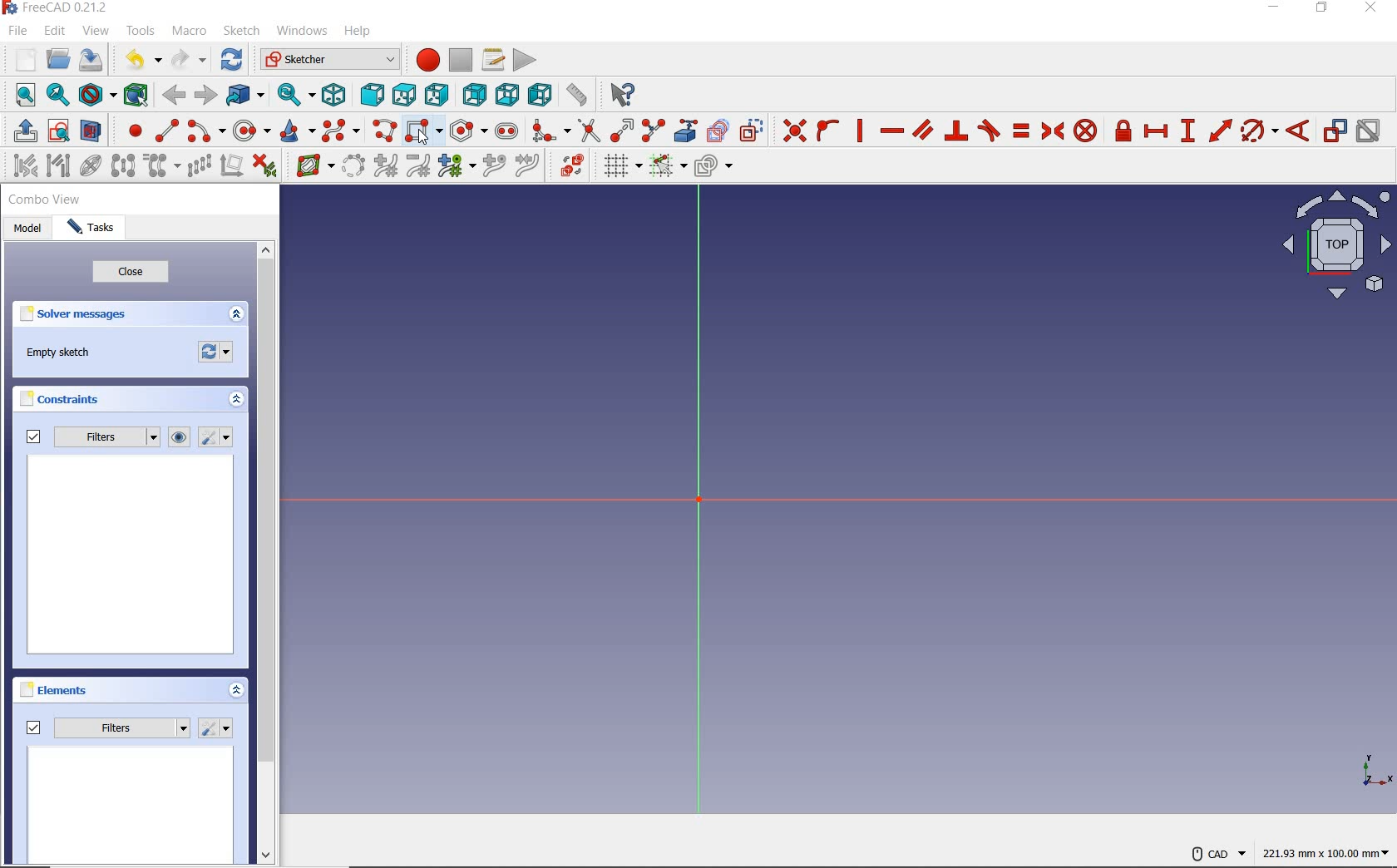  Describe the element at coordinates (45, 202) in the screenshot. I see `combo view` at that location.